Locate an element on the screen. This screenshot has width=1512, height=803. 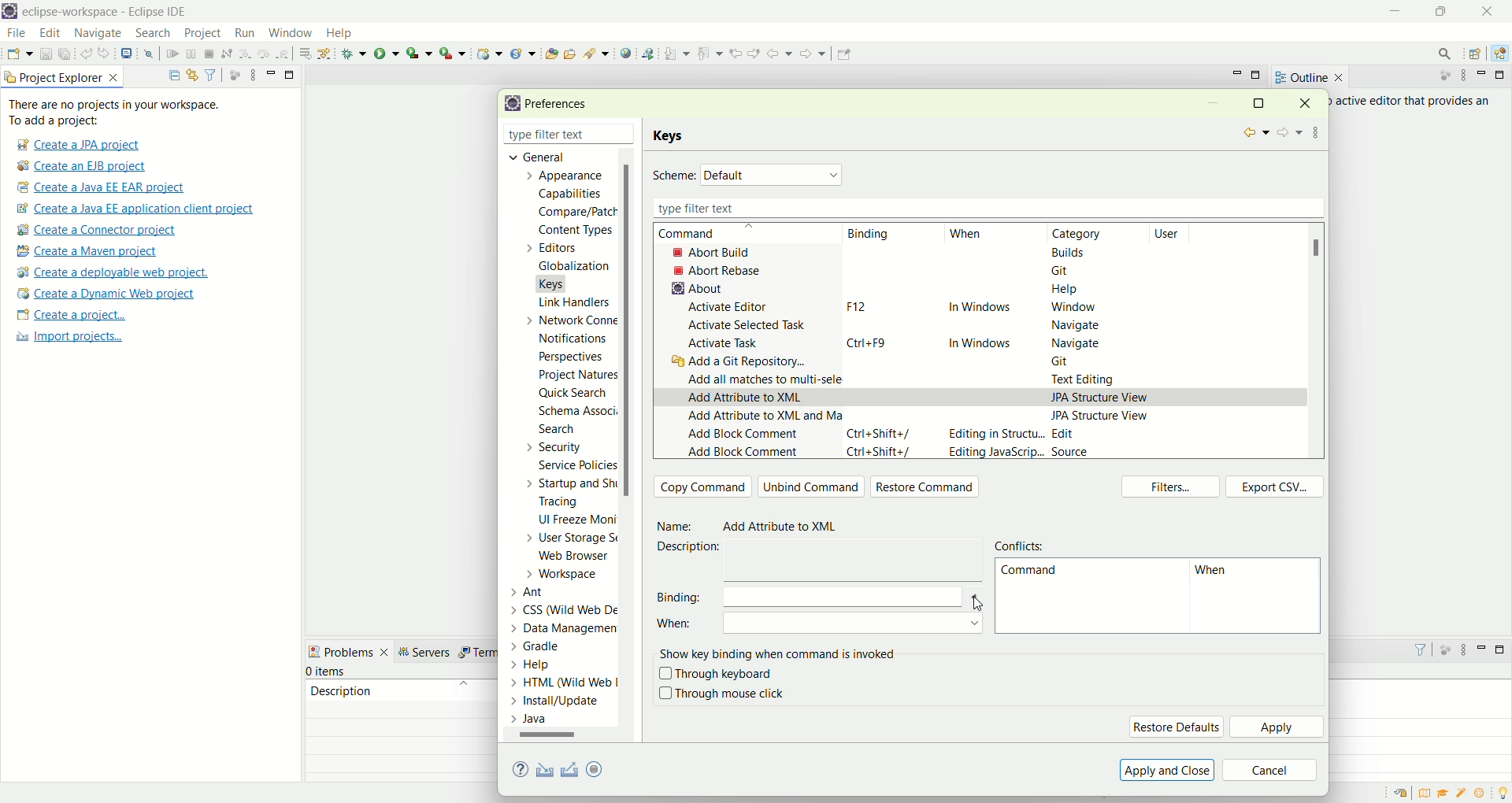
unbind command is located at coordinates (812, 487).